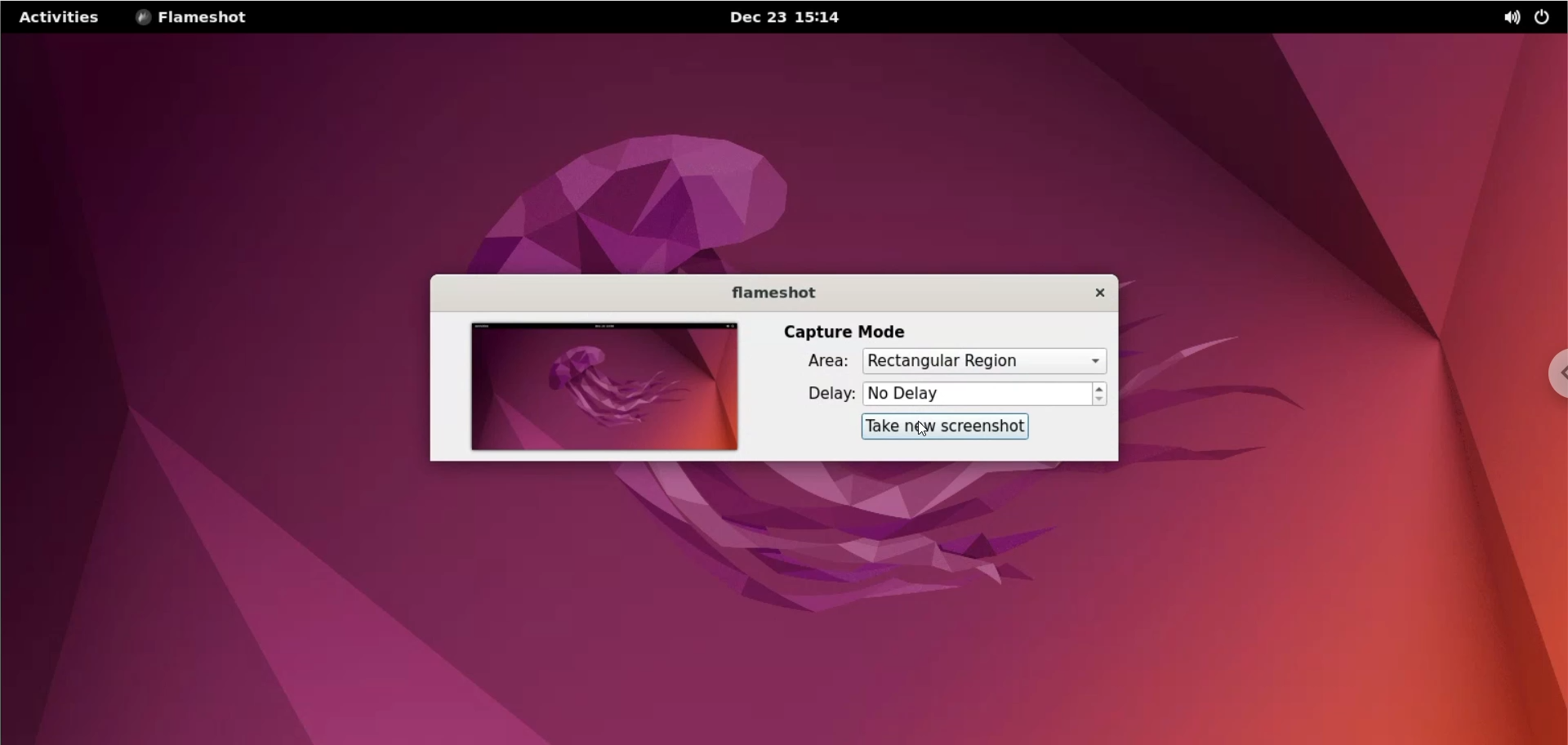  What do you see at coordinates (800, 18) in the screenshot?
I see `date and time` at bounding box center [800, 18].